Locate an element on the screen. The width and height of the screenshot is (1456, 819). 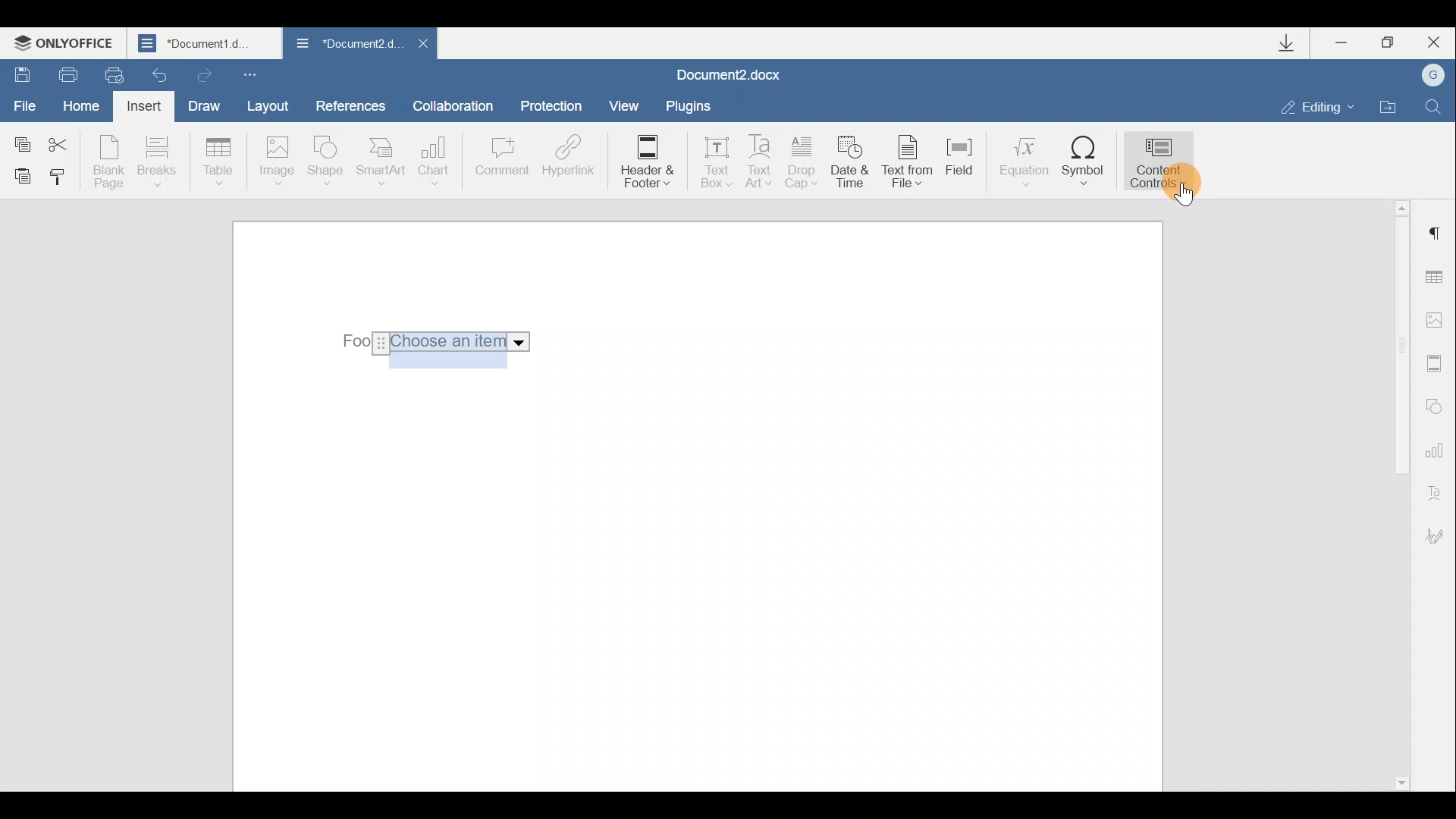
Open file location is located at coordinates (1388, 105).